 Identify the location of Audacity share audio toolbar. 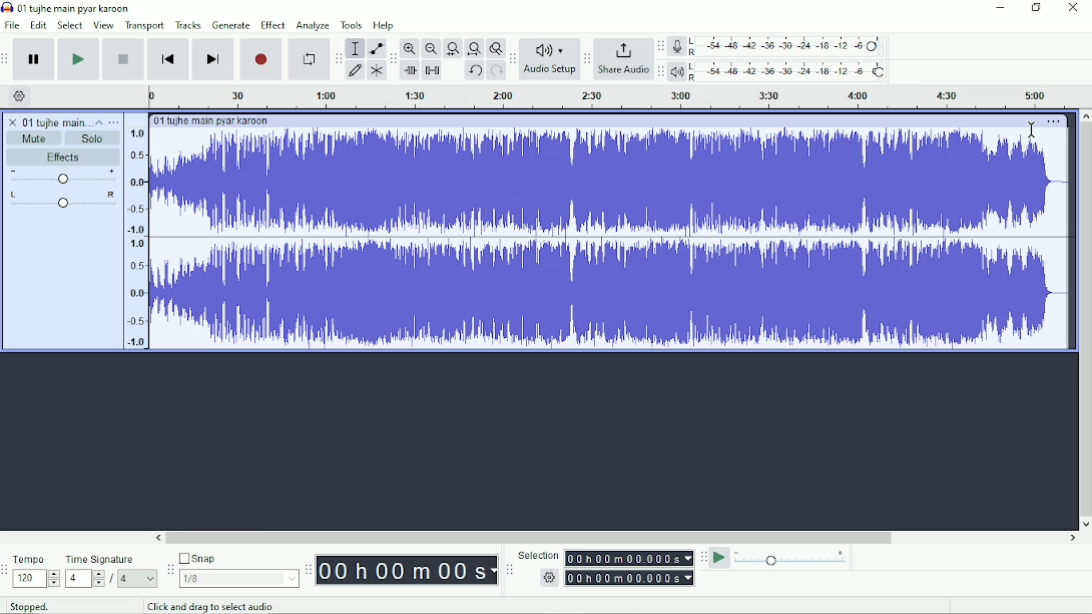
(588, 58).